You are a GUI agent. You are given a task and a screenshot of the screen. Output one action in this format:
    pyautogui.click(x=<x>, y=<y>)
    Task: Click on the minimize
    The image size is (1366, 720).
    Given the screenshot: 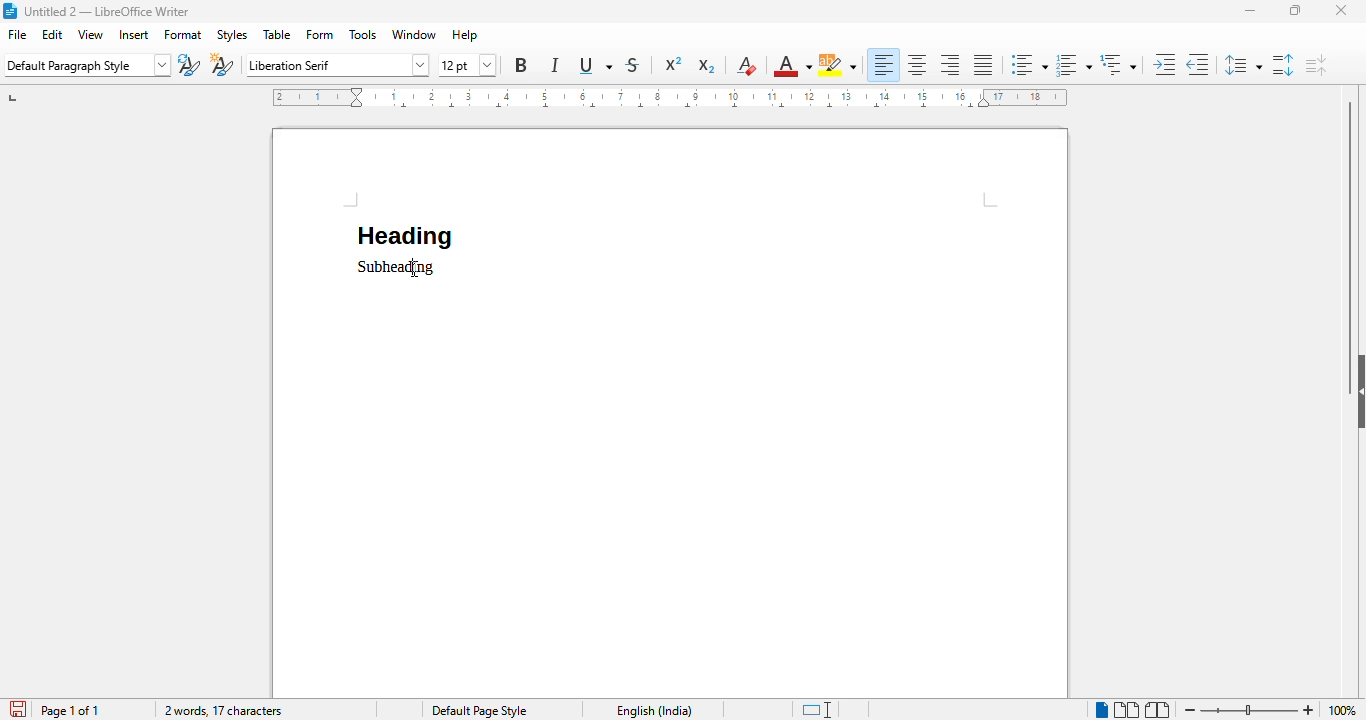 What is the action you would take?
    pyautogui.click(x=1250, y=11)
    